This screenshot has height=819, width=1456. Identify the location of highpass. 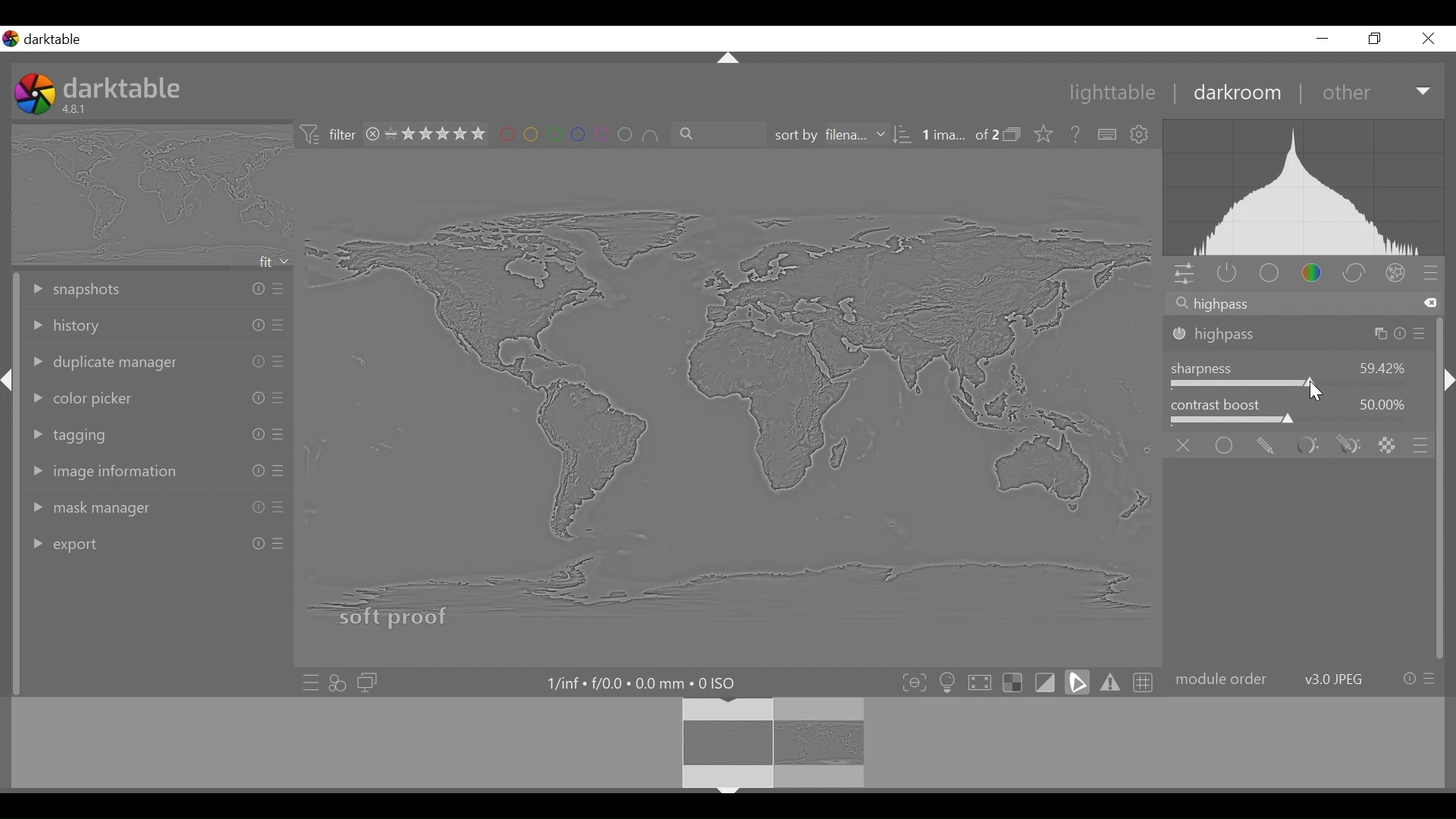
(1299, 336).